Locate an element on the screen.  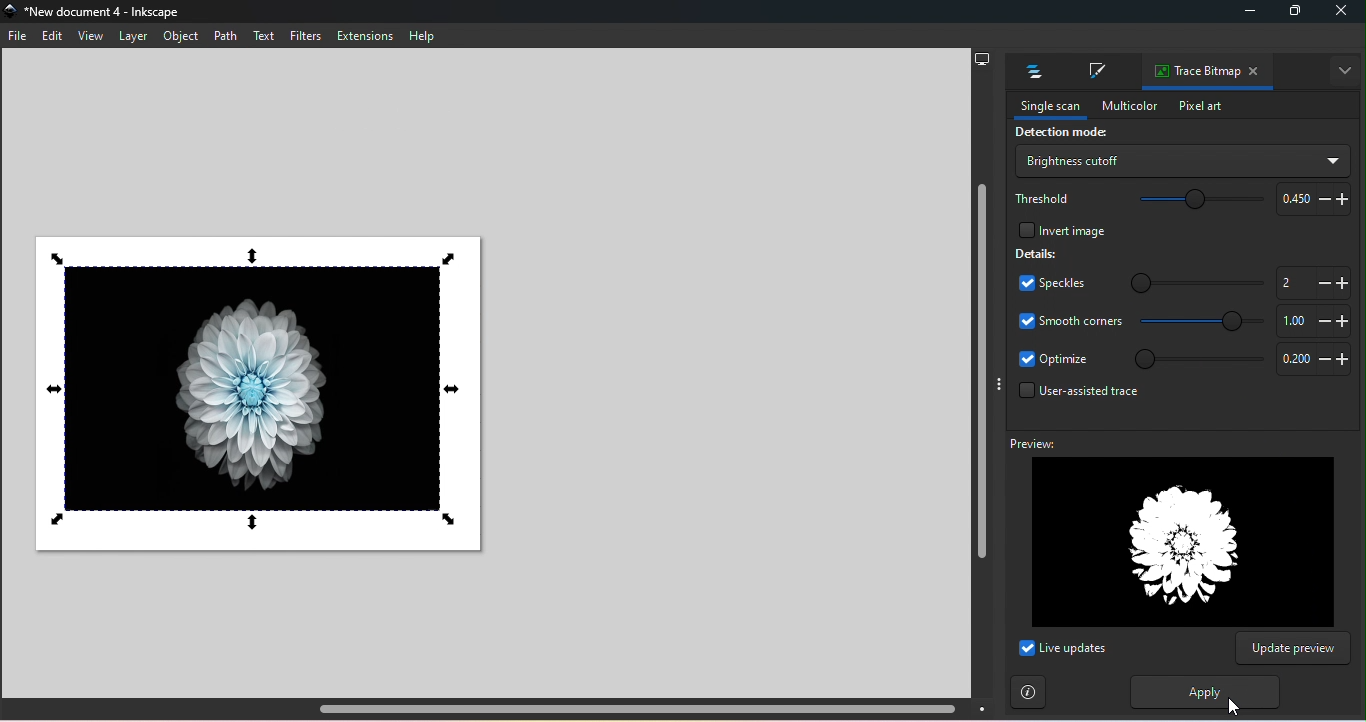
Increase or decrease smooth corners is located at coordinates (1311, 321).